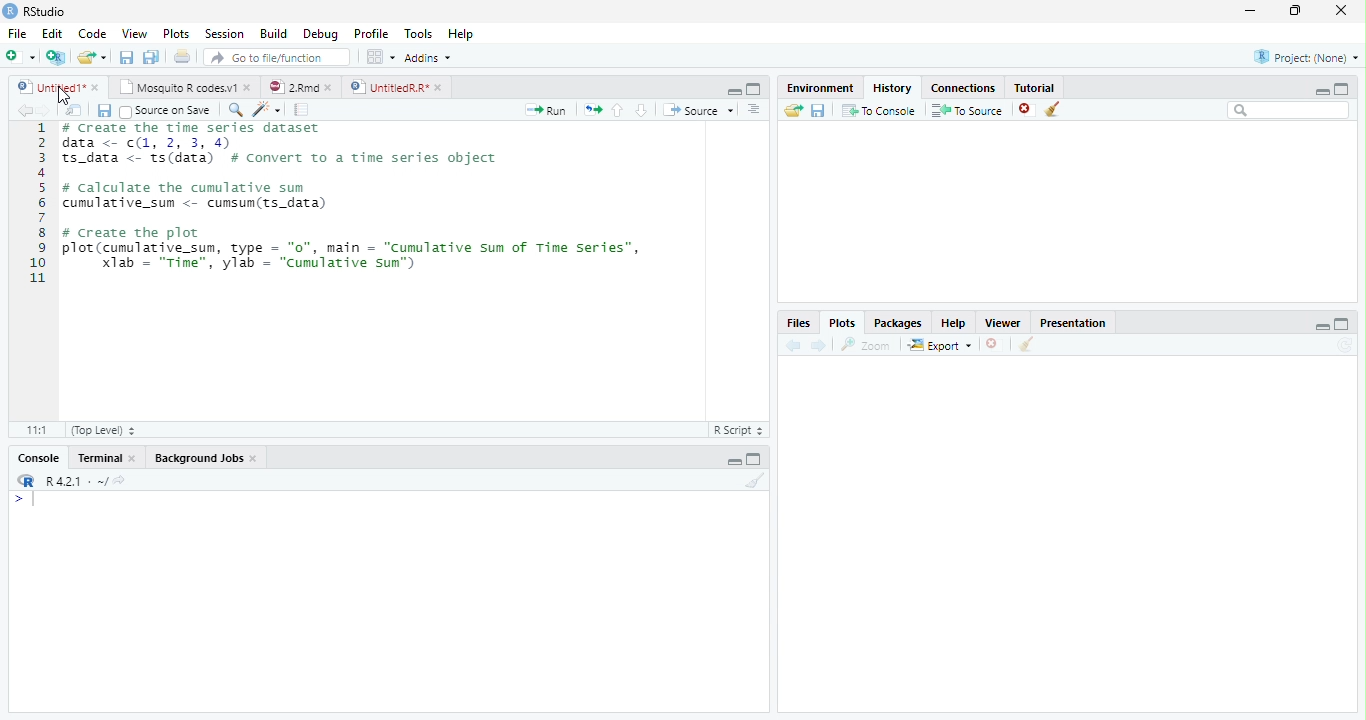 The width and height of the screenshot is (1366, 720). Describe the element at coordinates (237, 112) in the screenshot. I see `Zoom` at that location.